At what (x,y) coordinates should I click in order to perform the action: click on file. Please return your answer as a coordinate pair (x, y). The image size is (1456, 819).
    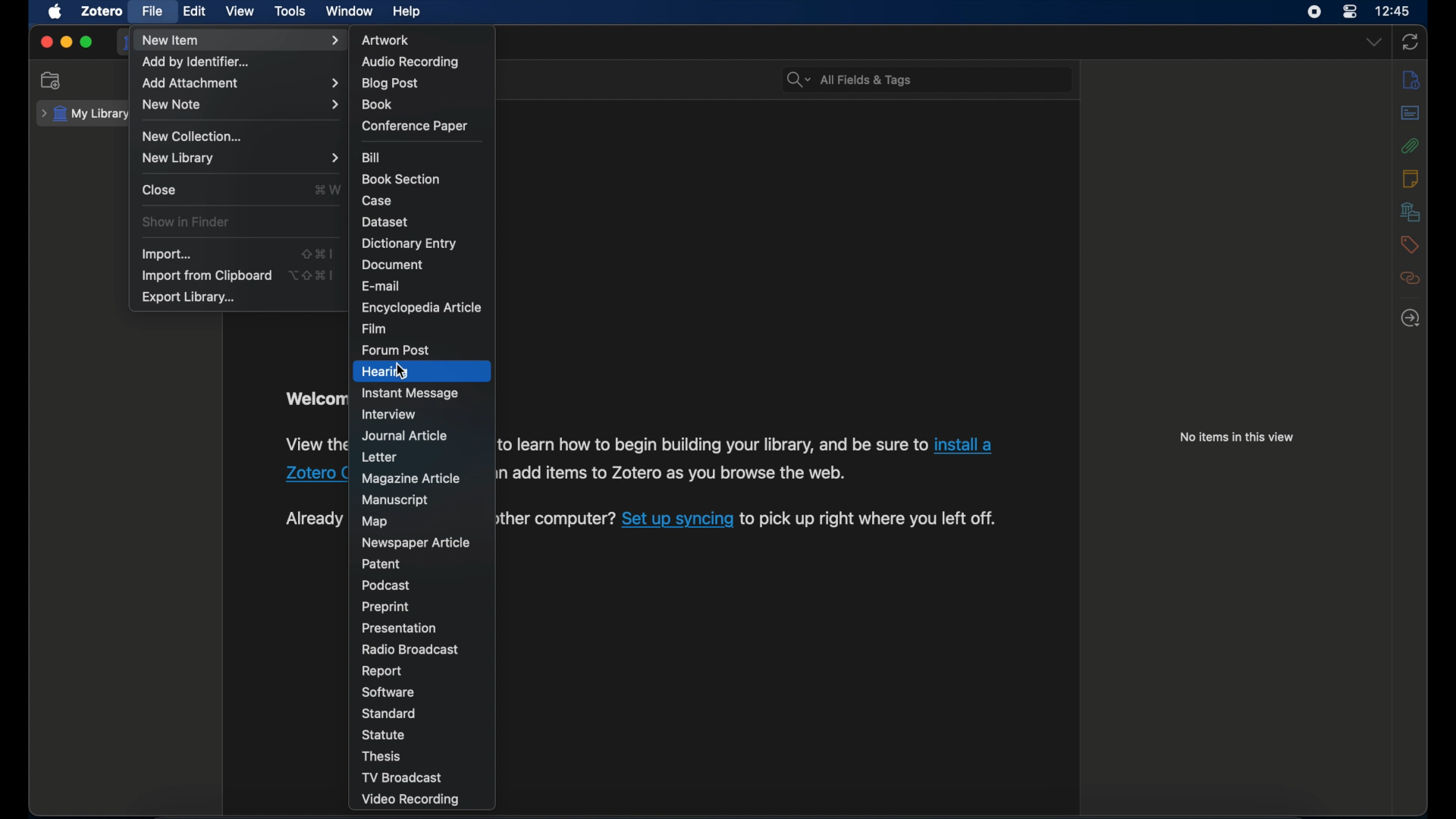
    Looking at the image, I should click on (154, 11).